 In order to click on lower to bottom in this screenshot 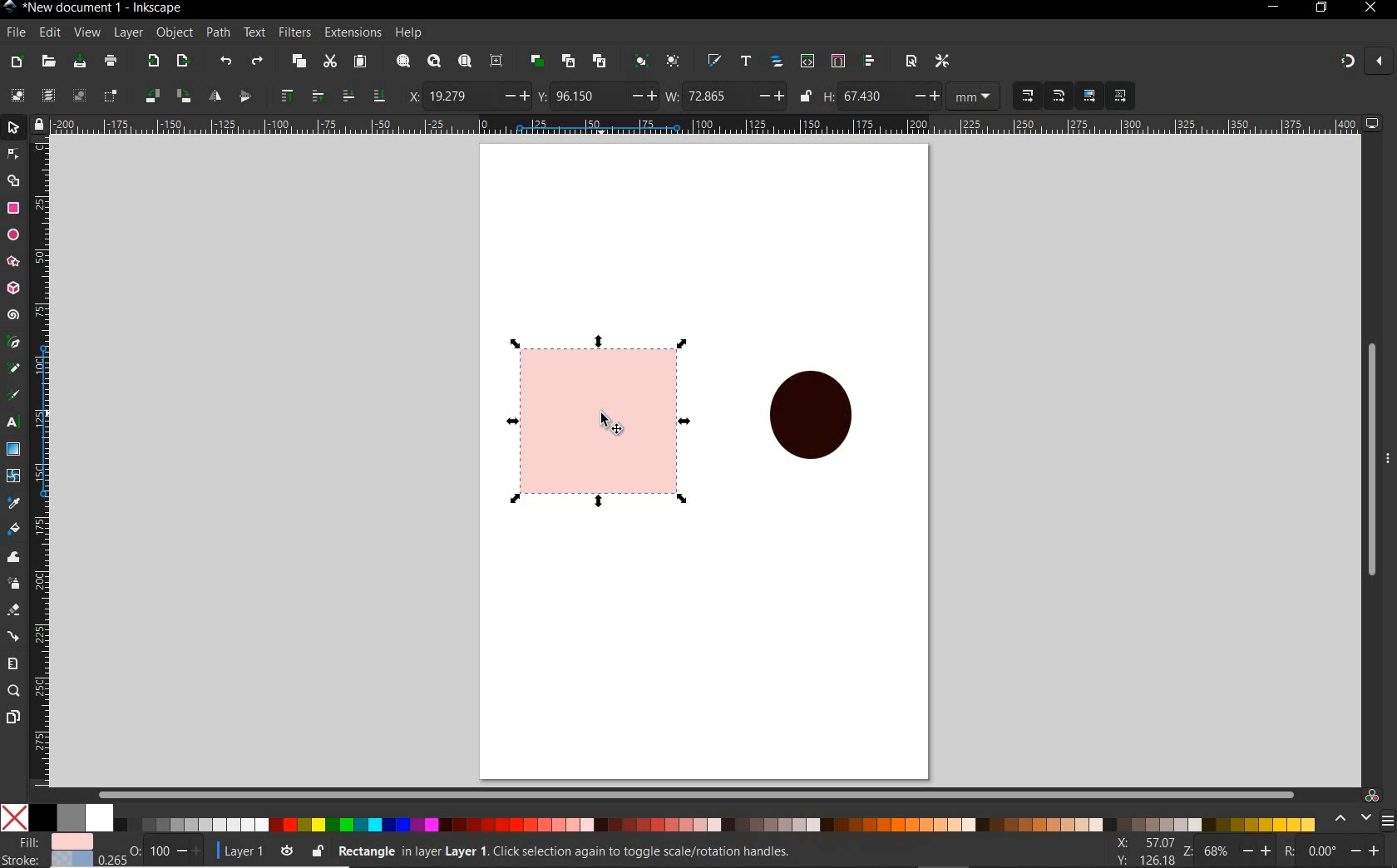, I will do `click(378, 94)`.